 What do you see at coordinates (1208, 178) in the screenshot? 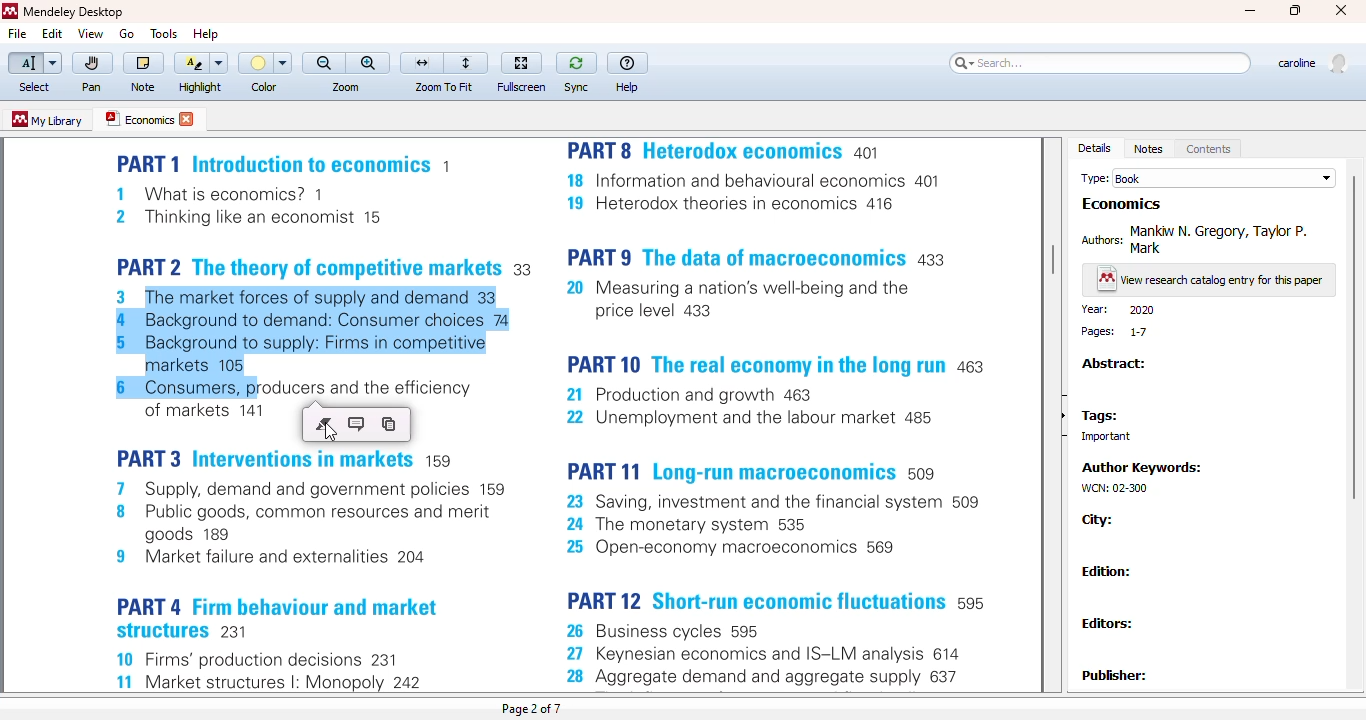
I see `type: book` at bounding box center [1208, 178].